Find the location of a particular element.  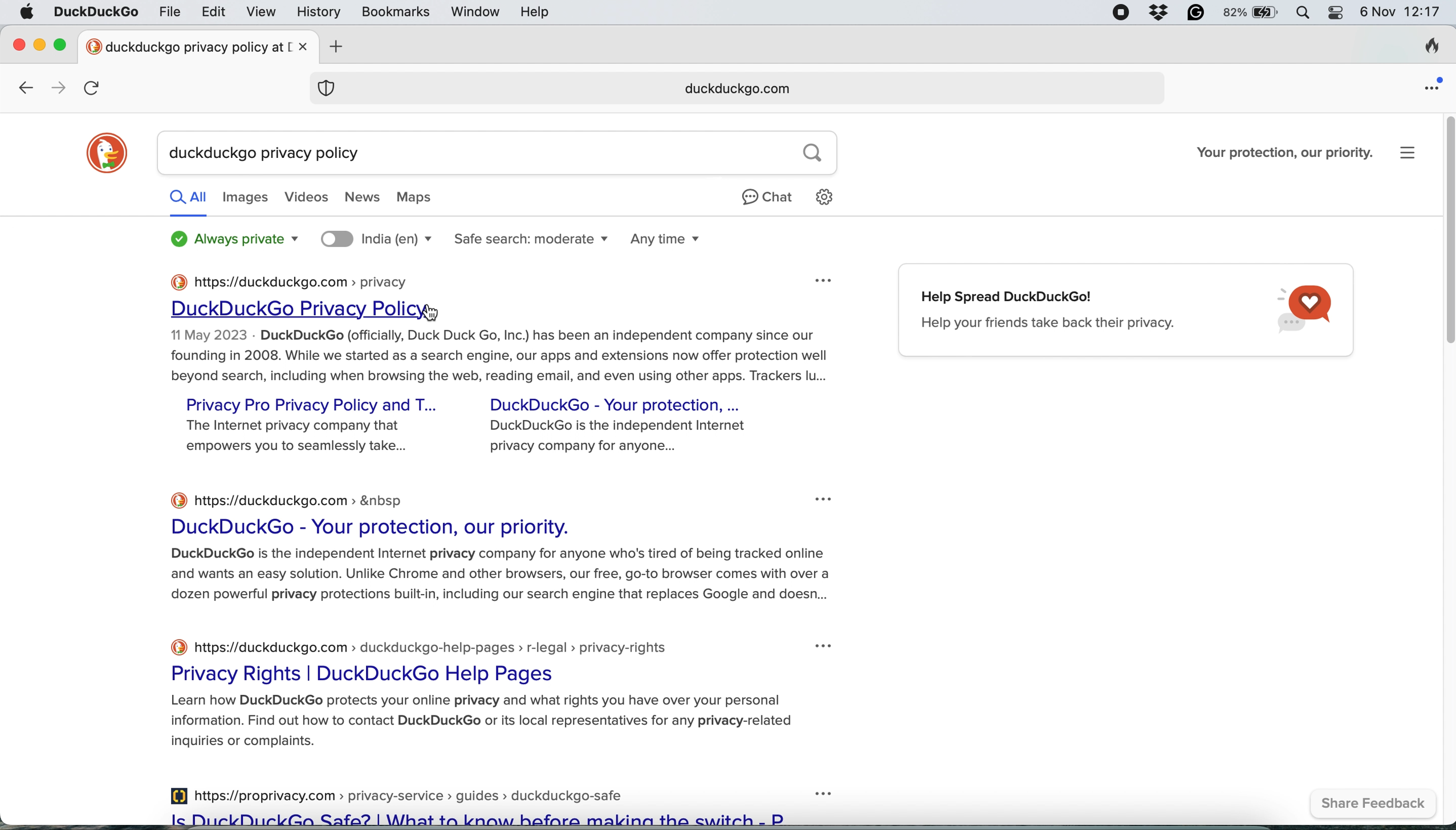

search query is located at coordinates (503, 154).